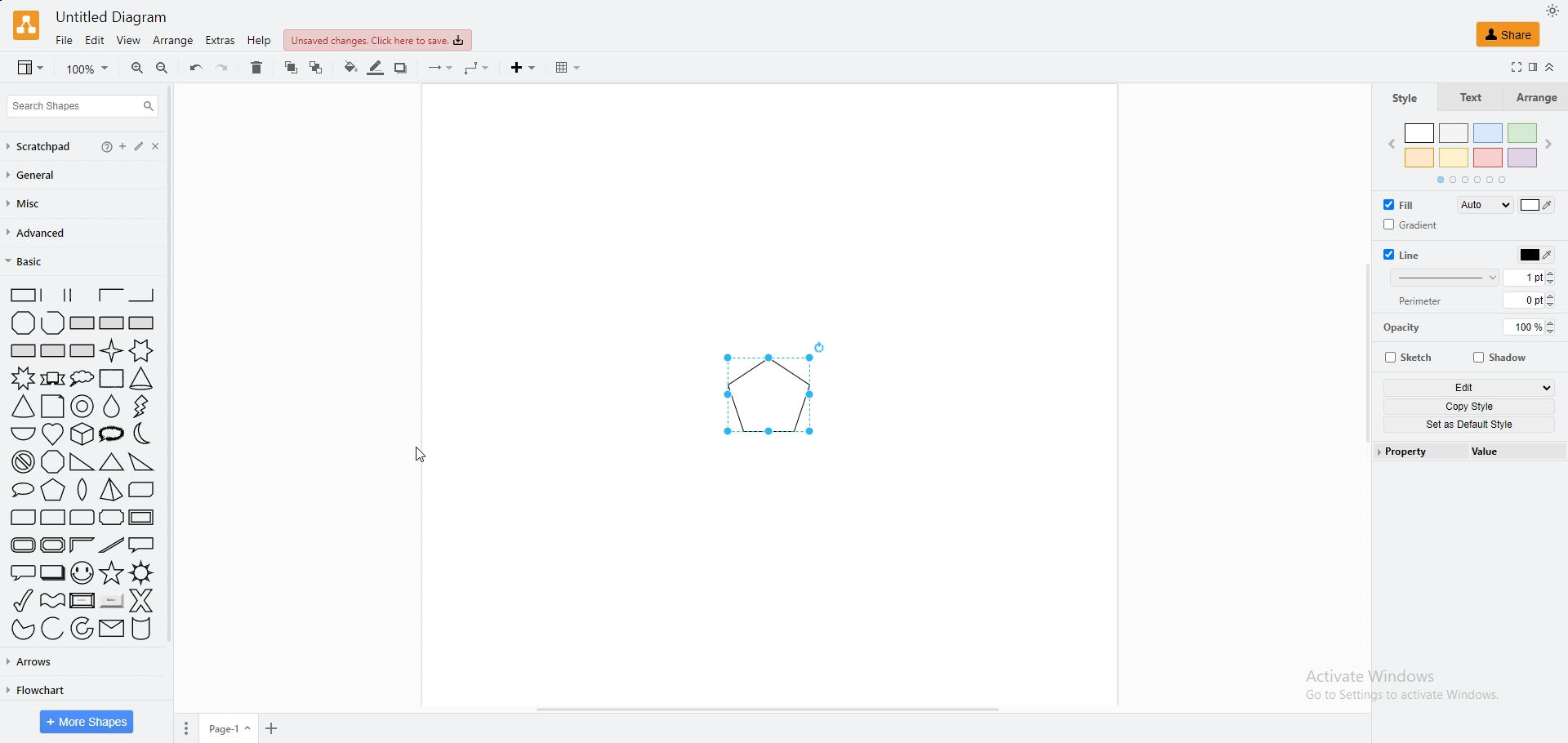 This screenshot has height=743, width=1568. Describe the element at coordinates (128, 146) in the screenshot. I see `add` at that location.